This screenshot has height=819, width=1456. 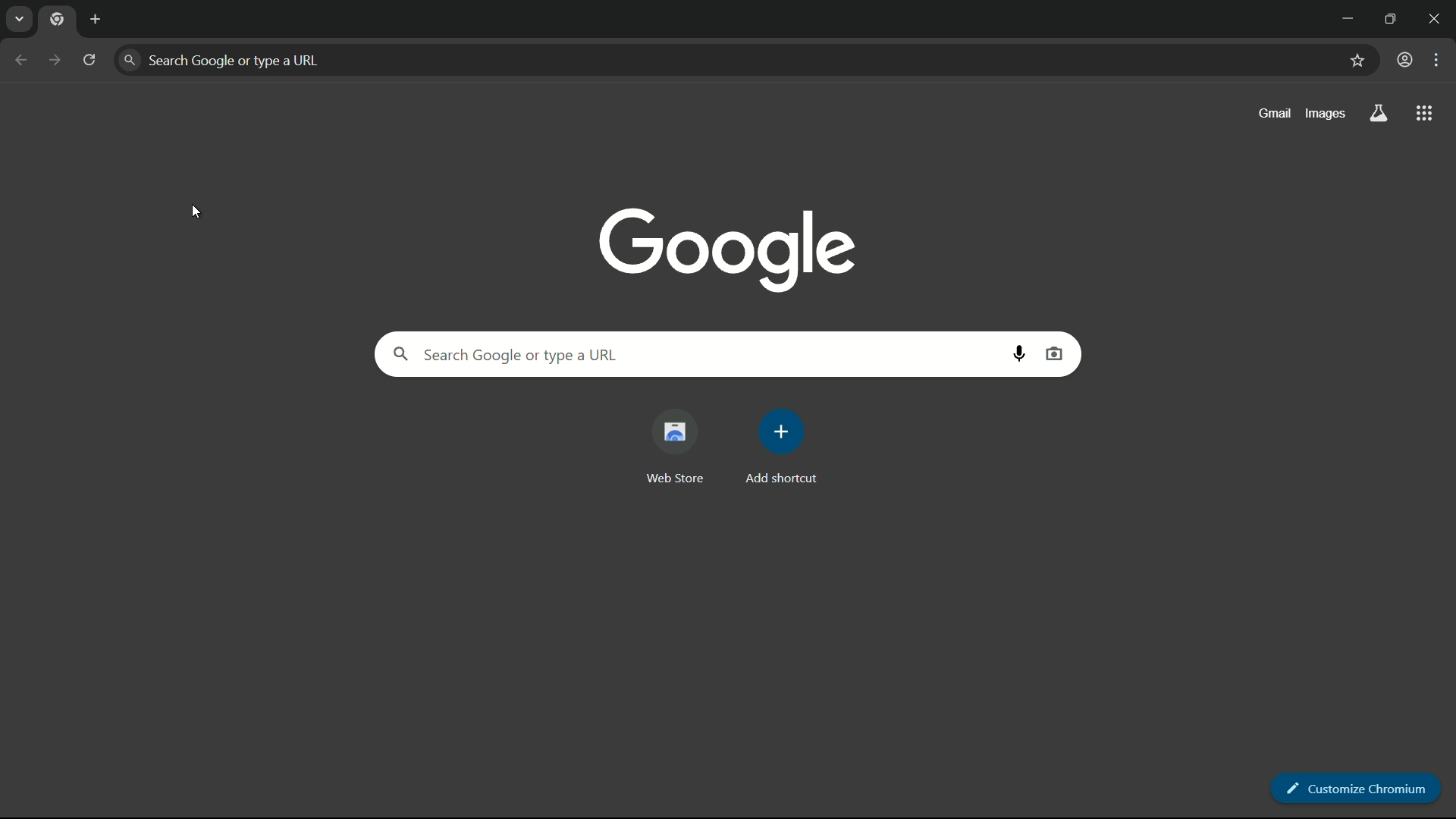 I want to click on minimize, so click(x=1344, y=17).